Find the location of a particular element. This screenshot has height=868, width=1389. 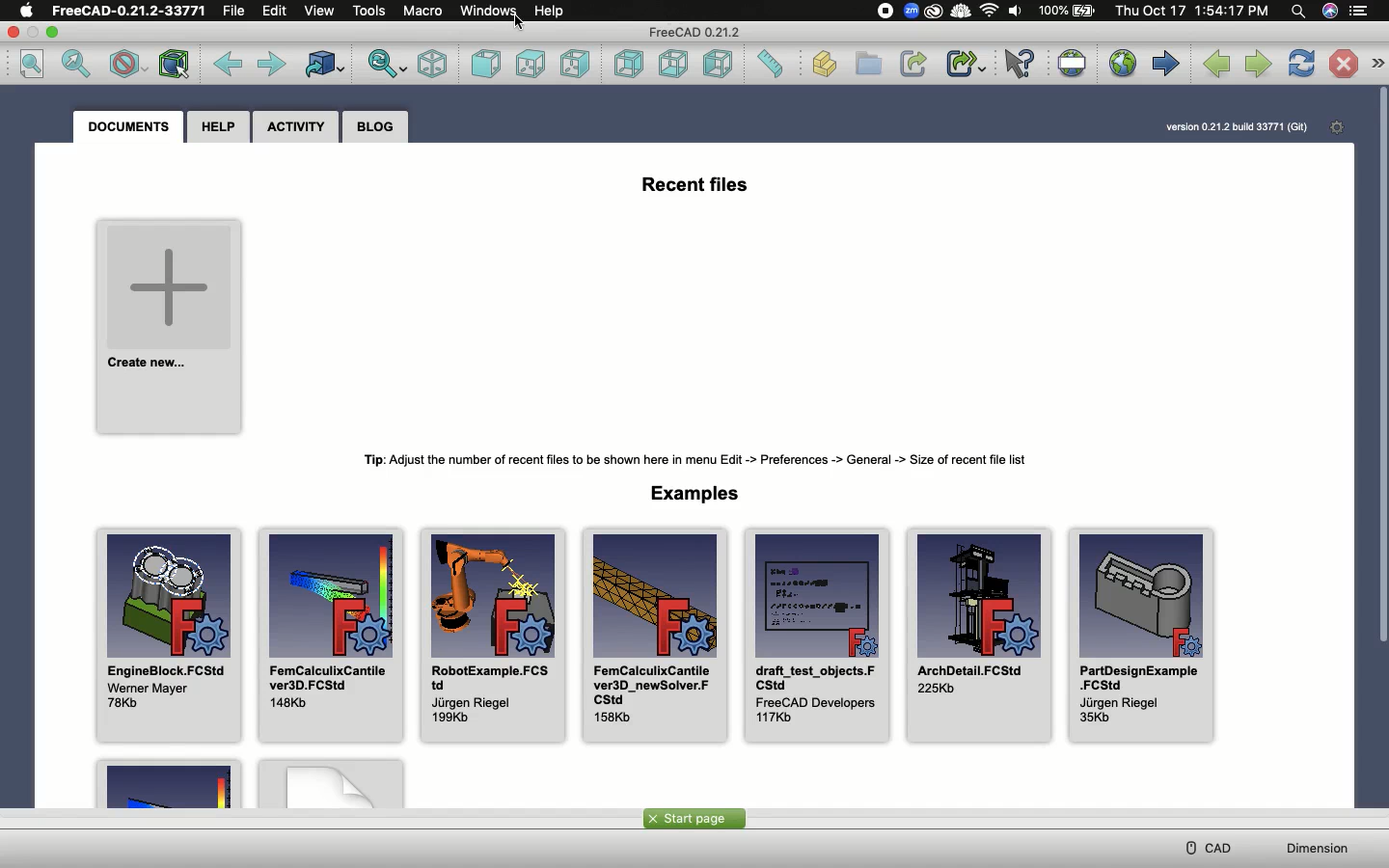

Apple logo is located at coordinates (28, 11).